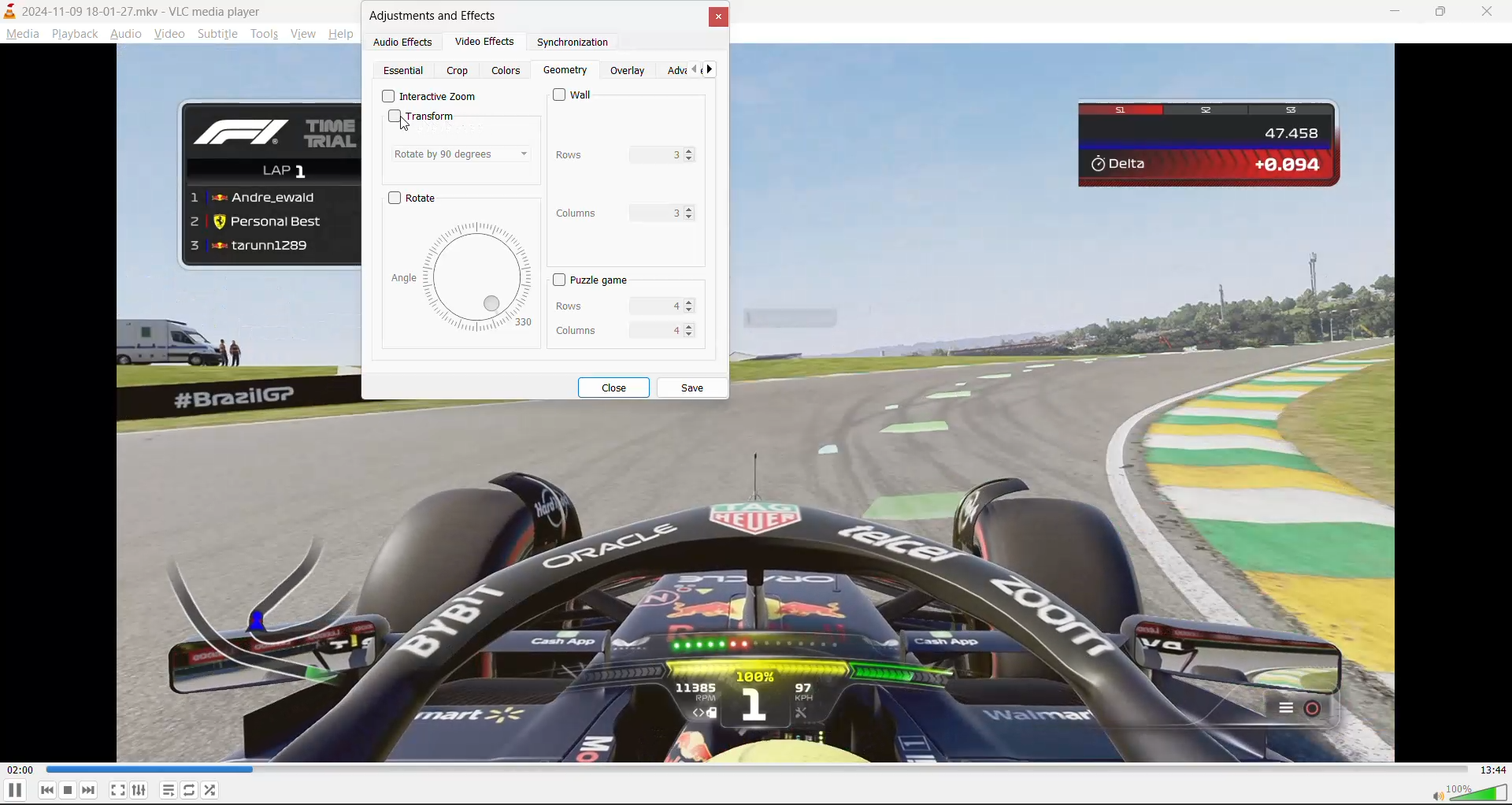 The height and width of the screenshot is (805, 1512). Describe the element at coordinates (689, 302) in the screenshot. I see `Increase` at that location.